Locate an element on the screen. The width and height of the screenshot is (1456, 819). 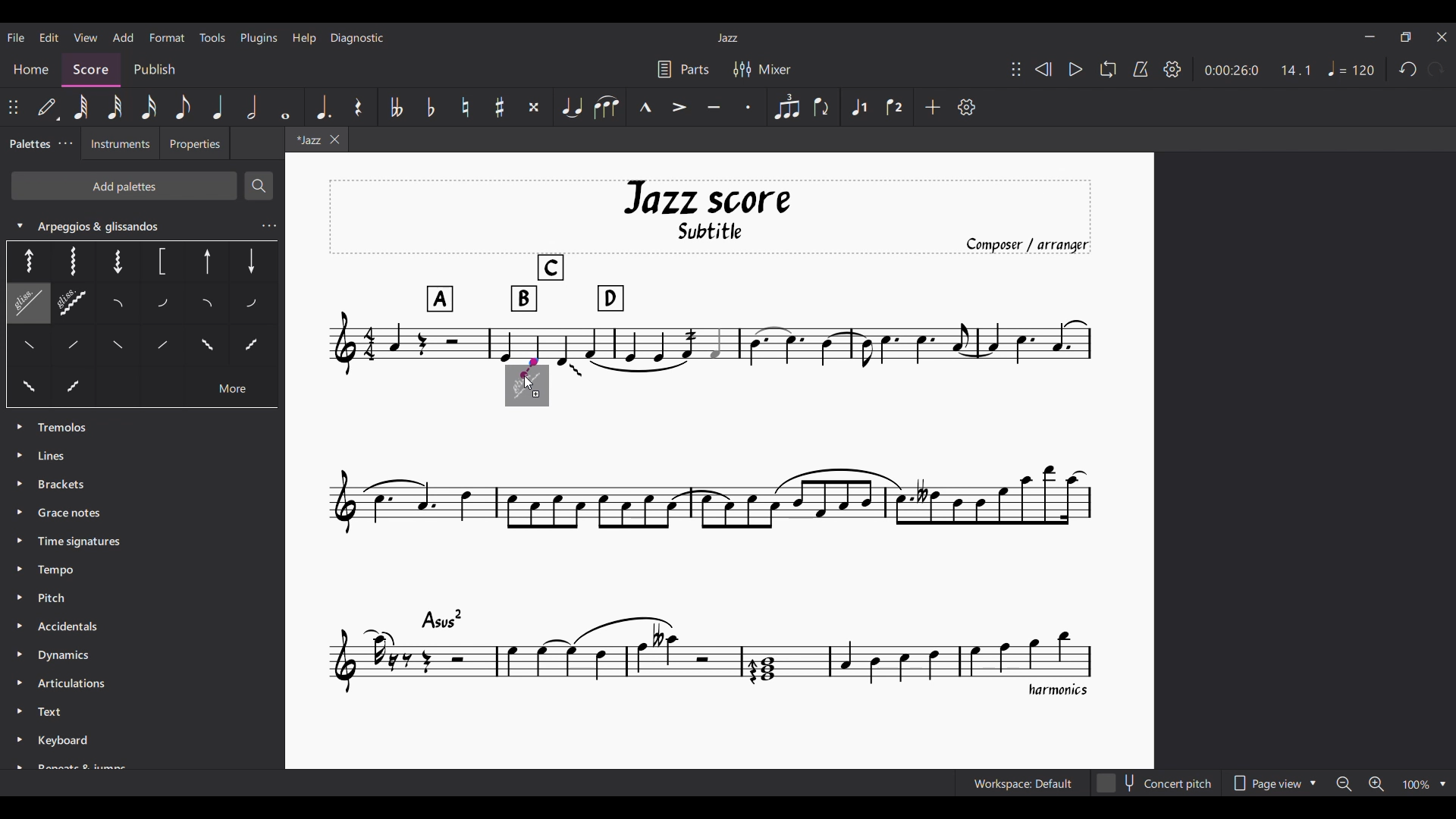
Tenuto is located at coordinates (714, 107).